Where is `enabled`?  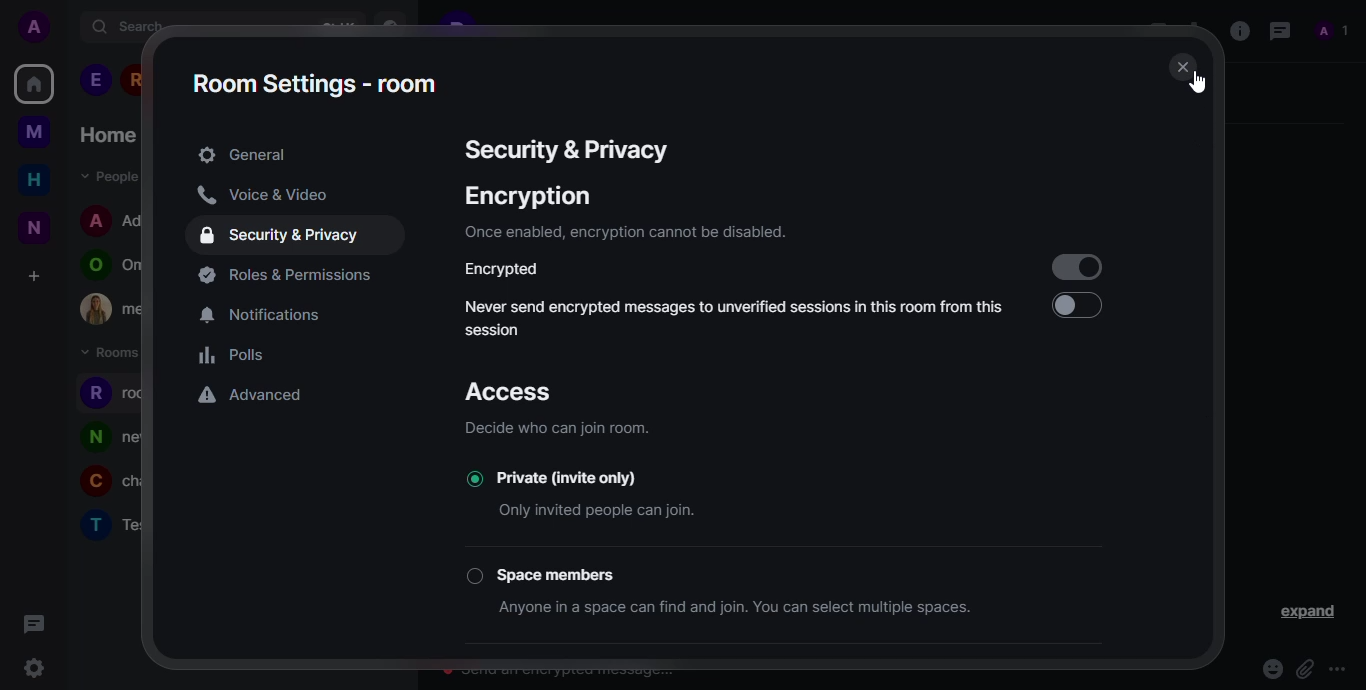
enabled is located at coordinates (1077, 267).